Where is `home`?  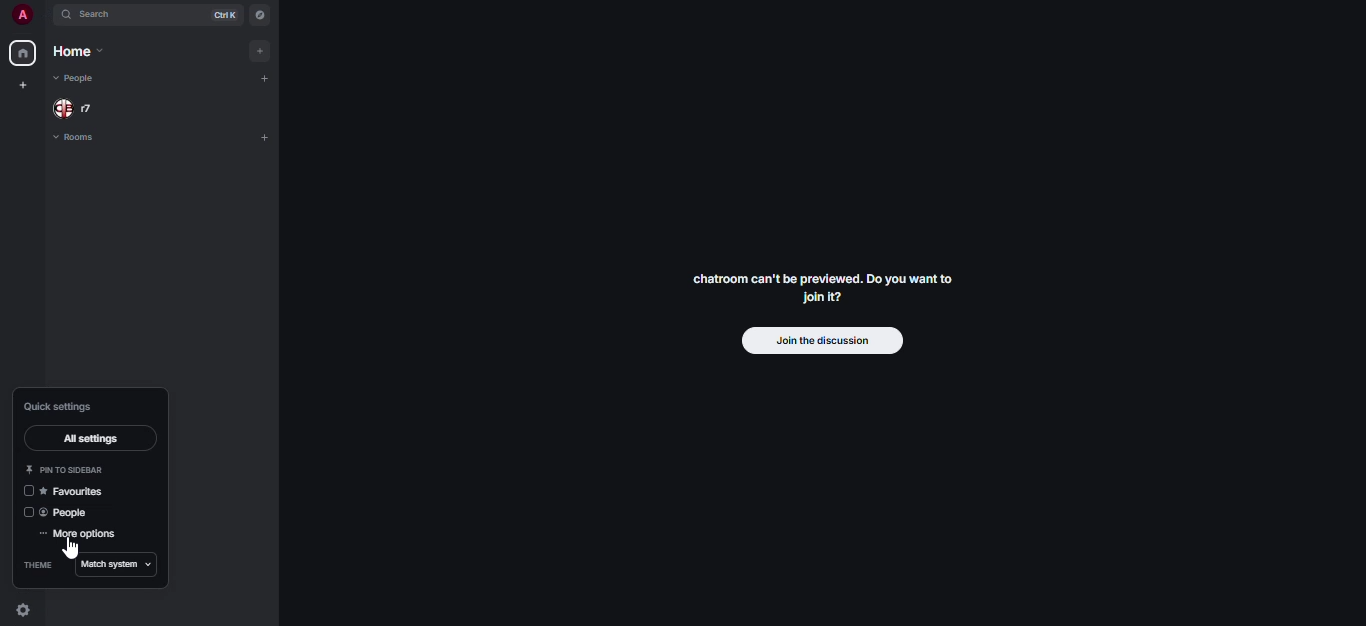
home is located at coordinates (78, 51).